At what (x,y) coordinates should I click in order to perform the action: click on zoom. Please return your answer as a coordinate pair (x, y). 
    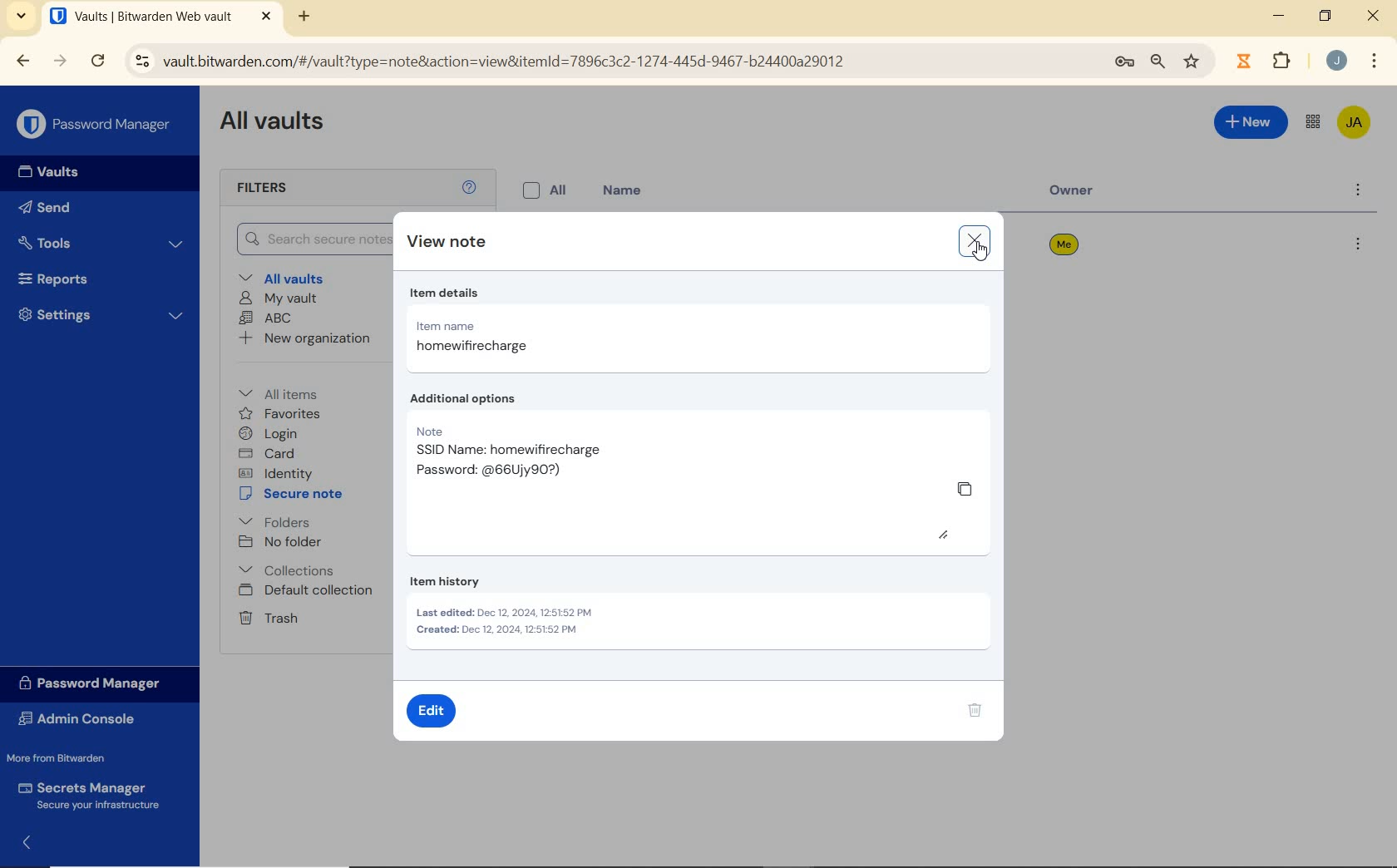
    Looking at the image, I should click on (1158, 63).